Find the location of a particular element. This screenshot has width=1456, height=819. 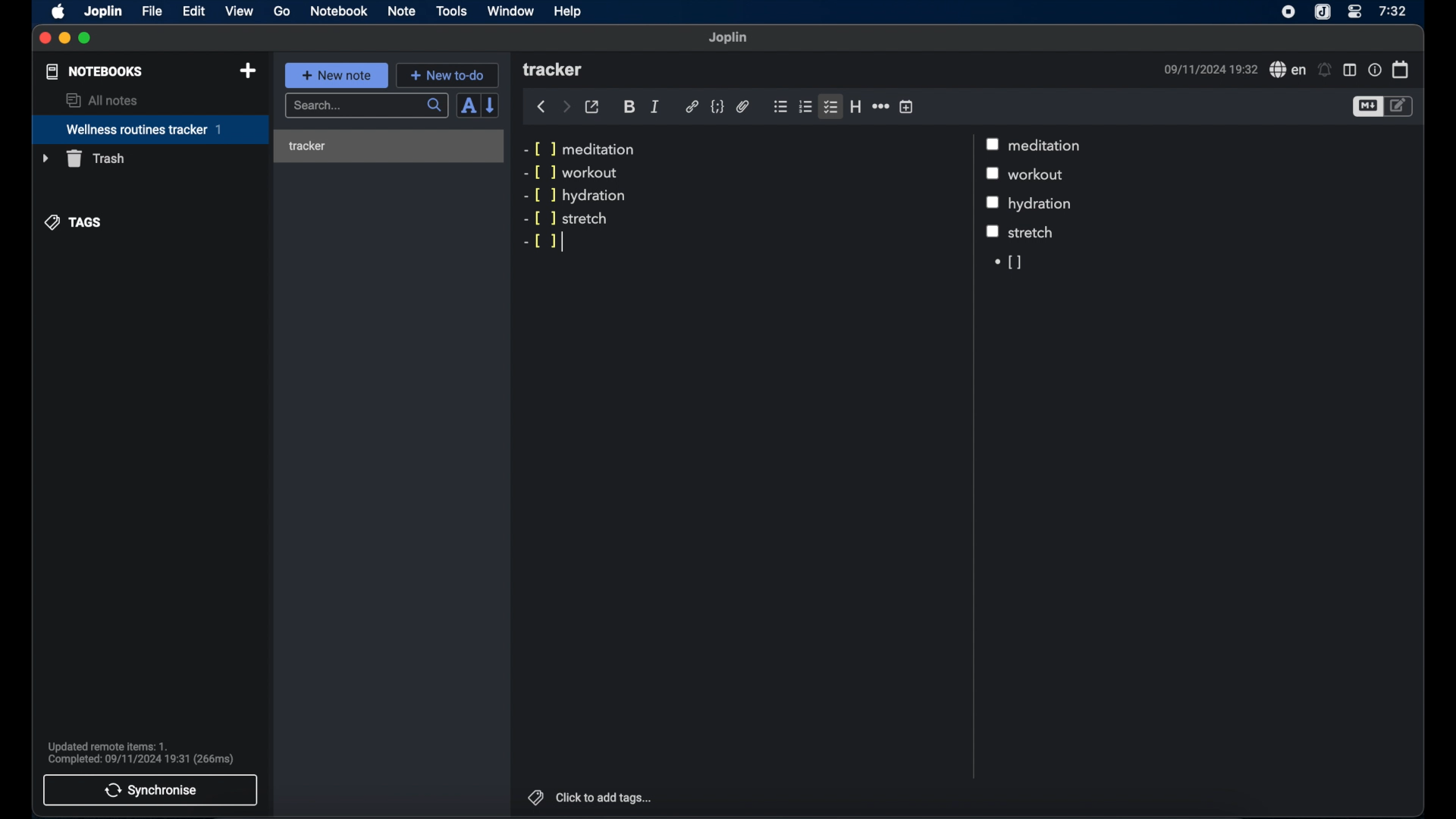

09/11/2024 19:32 is located at coordinates (1208, 69).